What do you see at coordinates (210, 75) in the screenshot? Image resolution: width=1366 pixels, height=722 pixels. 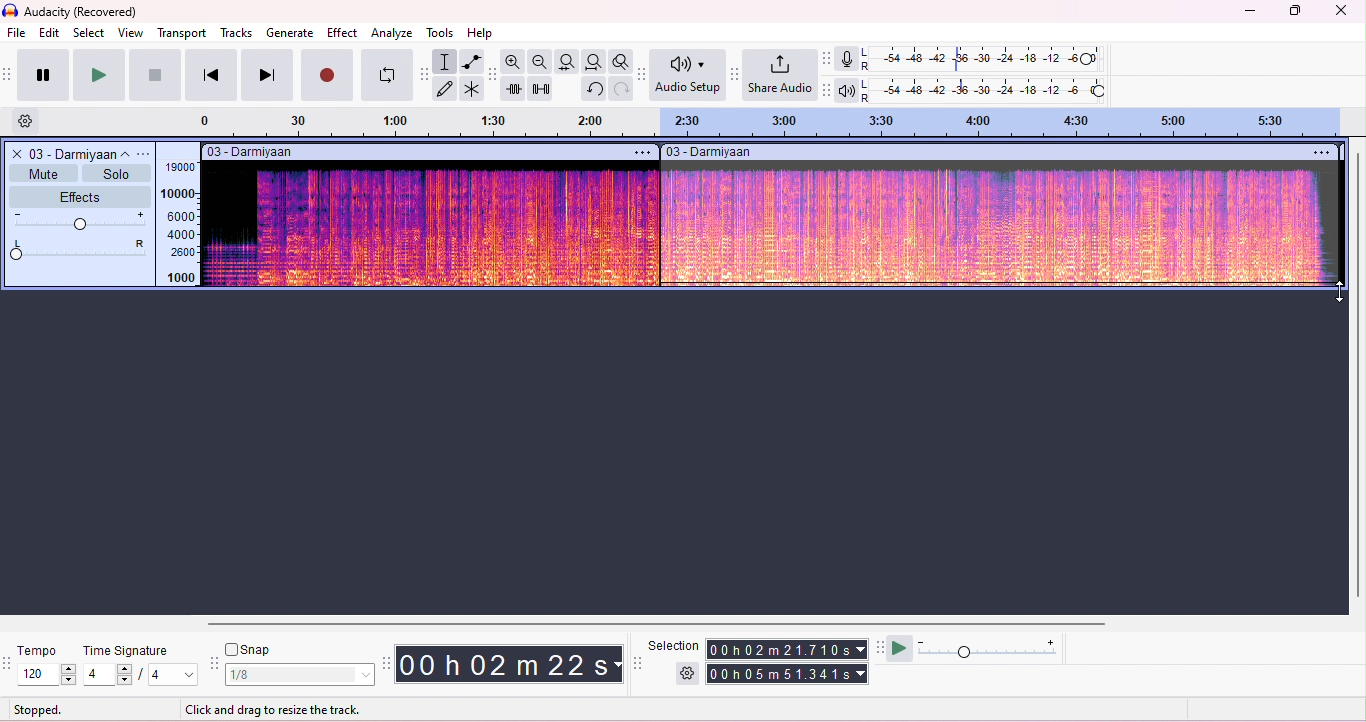 I see `previous` at bounding box center [210, 75].